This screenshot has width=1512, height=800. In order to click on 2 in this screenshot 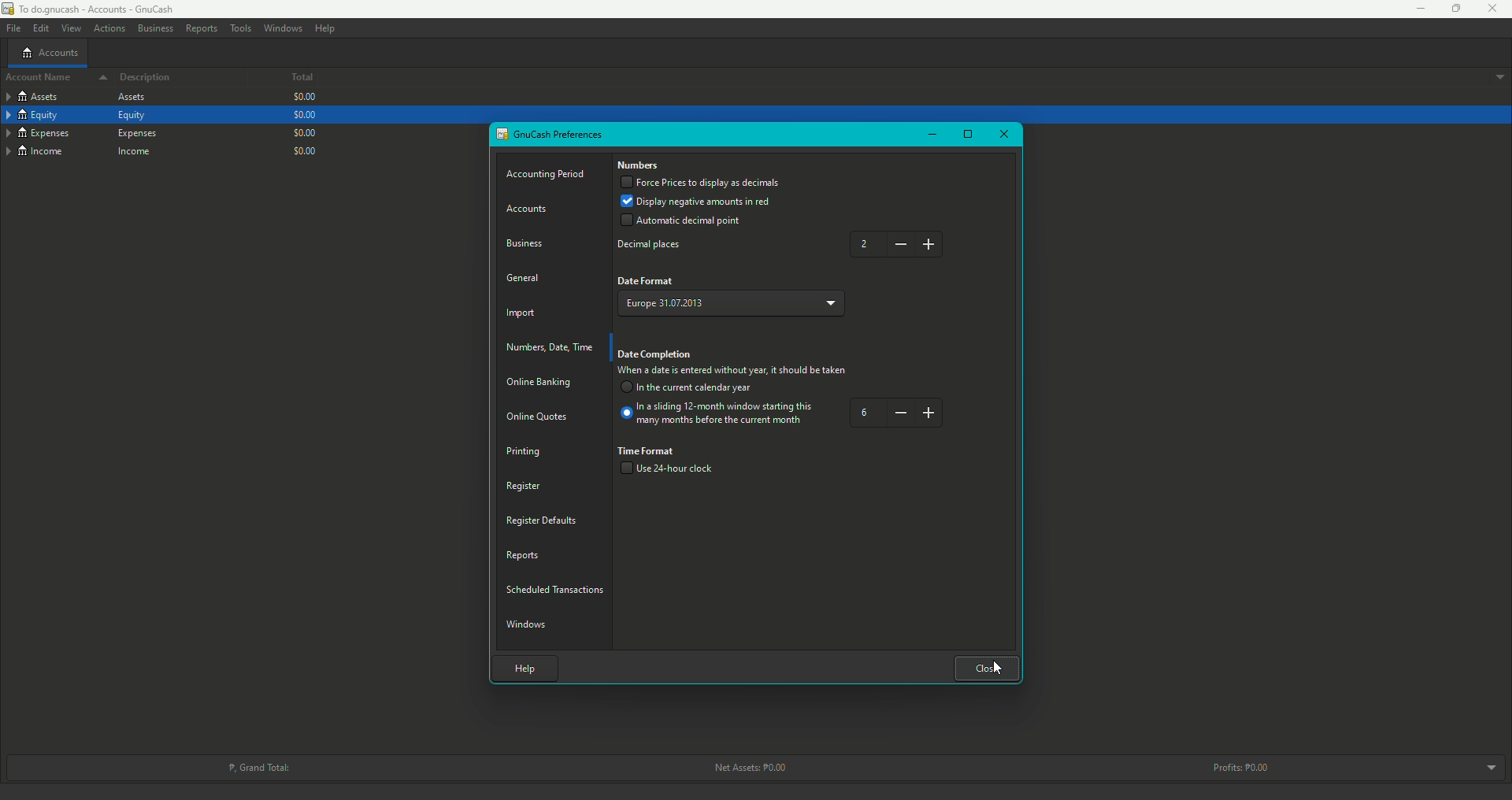, I will do `click(899, 244)`.